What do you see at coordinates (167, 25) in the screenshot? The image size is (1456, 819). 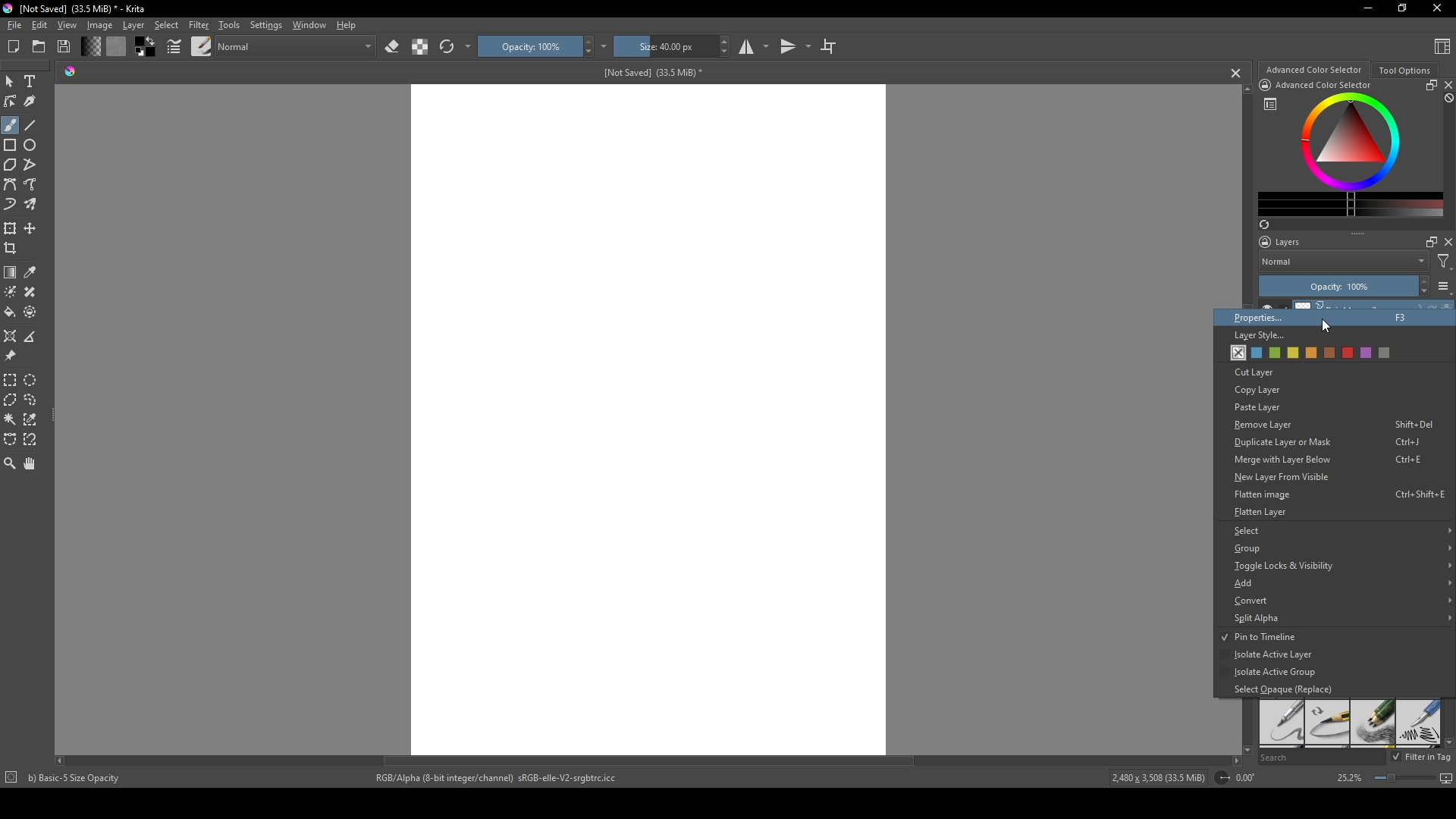 I see `Select` at bounding box center [167, 25].